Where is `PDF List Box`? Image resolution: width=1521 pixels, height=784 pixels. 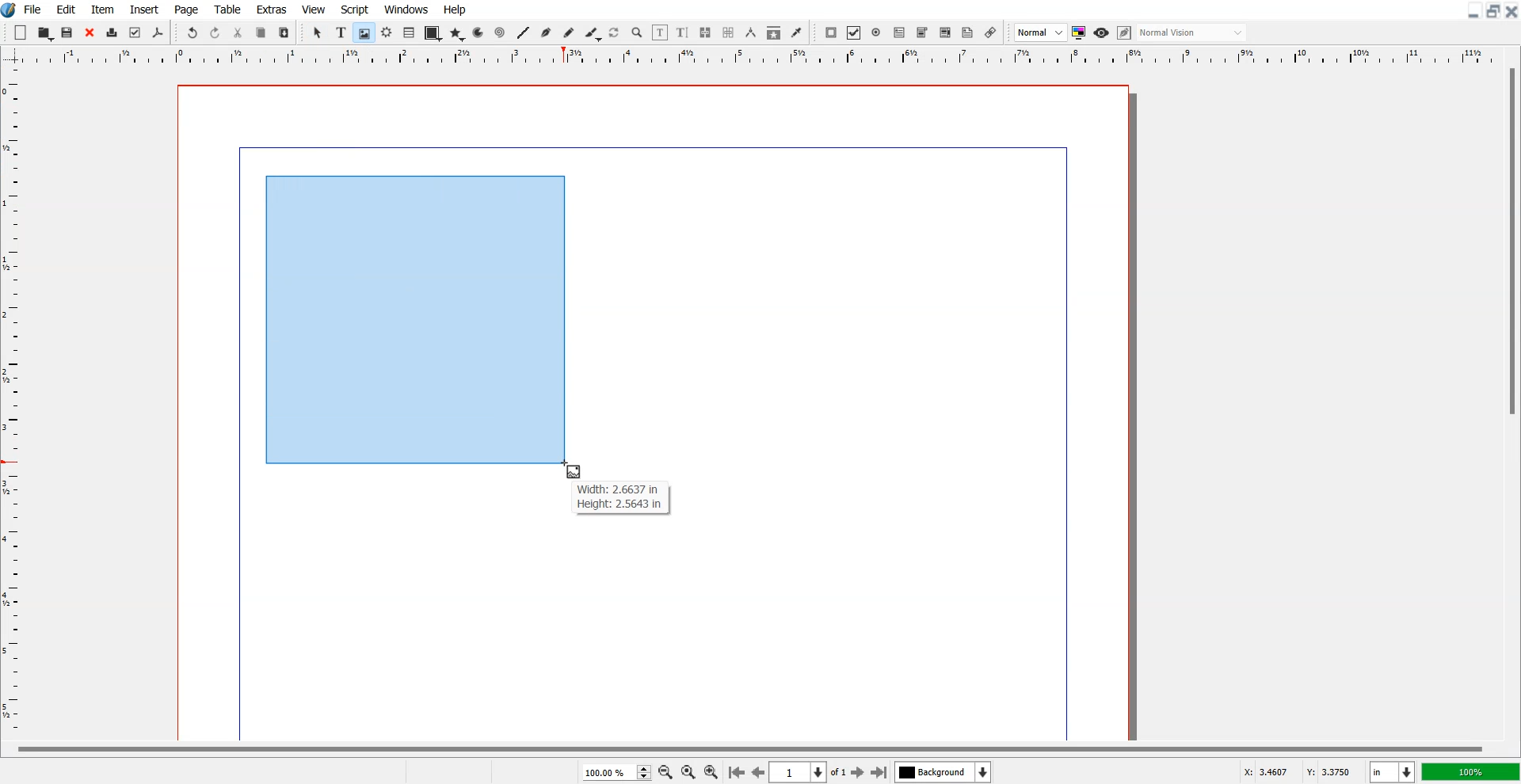 PDF List Box is located at coordinates (946, 32).